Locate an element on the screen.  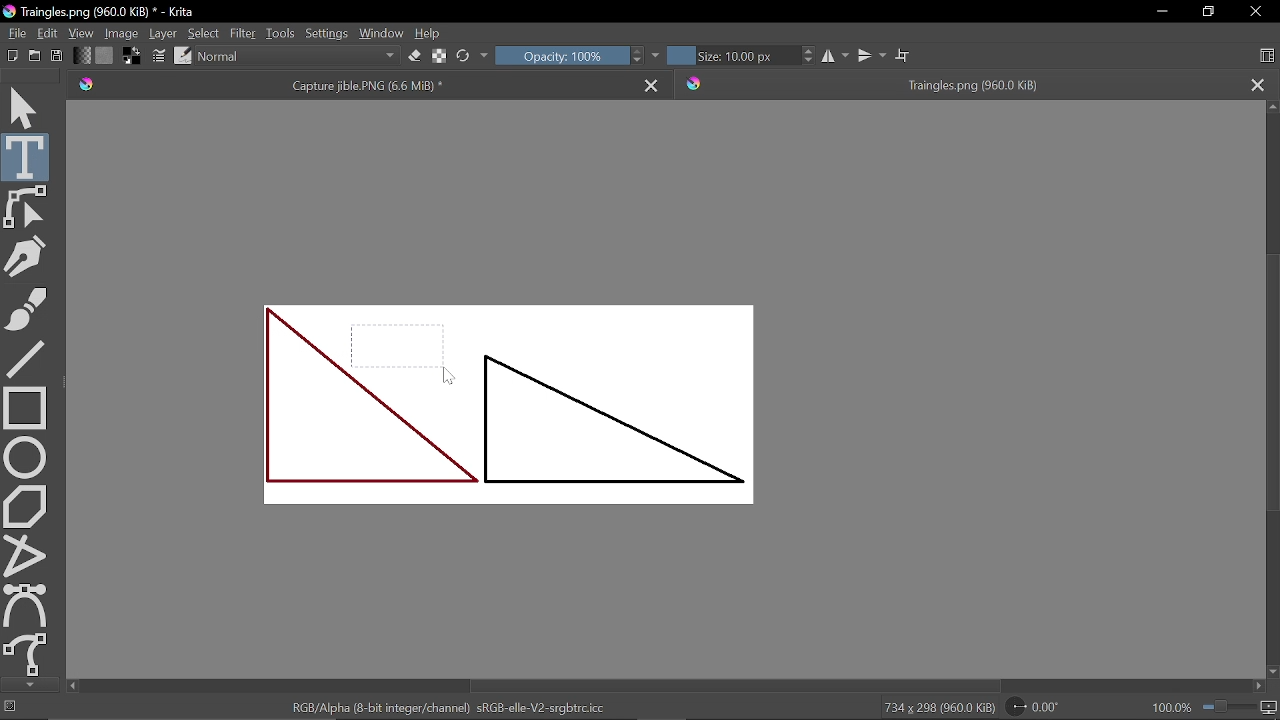
No selection is located at coordinates (8, 708).